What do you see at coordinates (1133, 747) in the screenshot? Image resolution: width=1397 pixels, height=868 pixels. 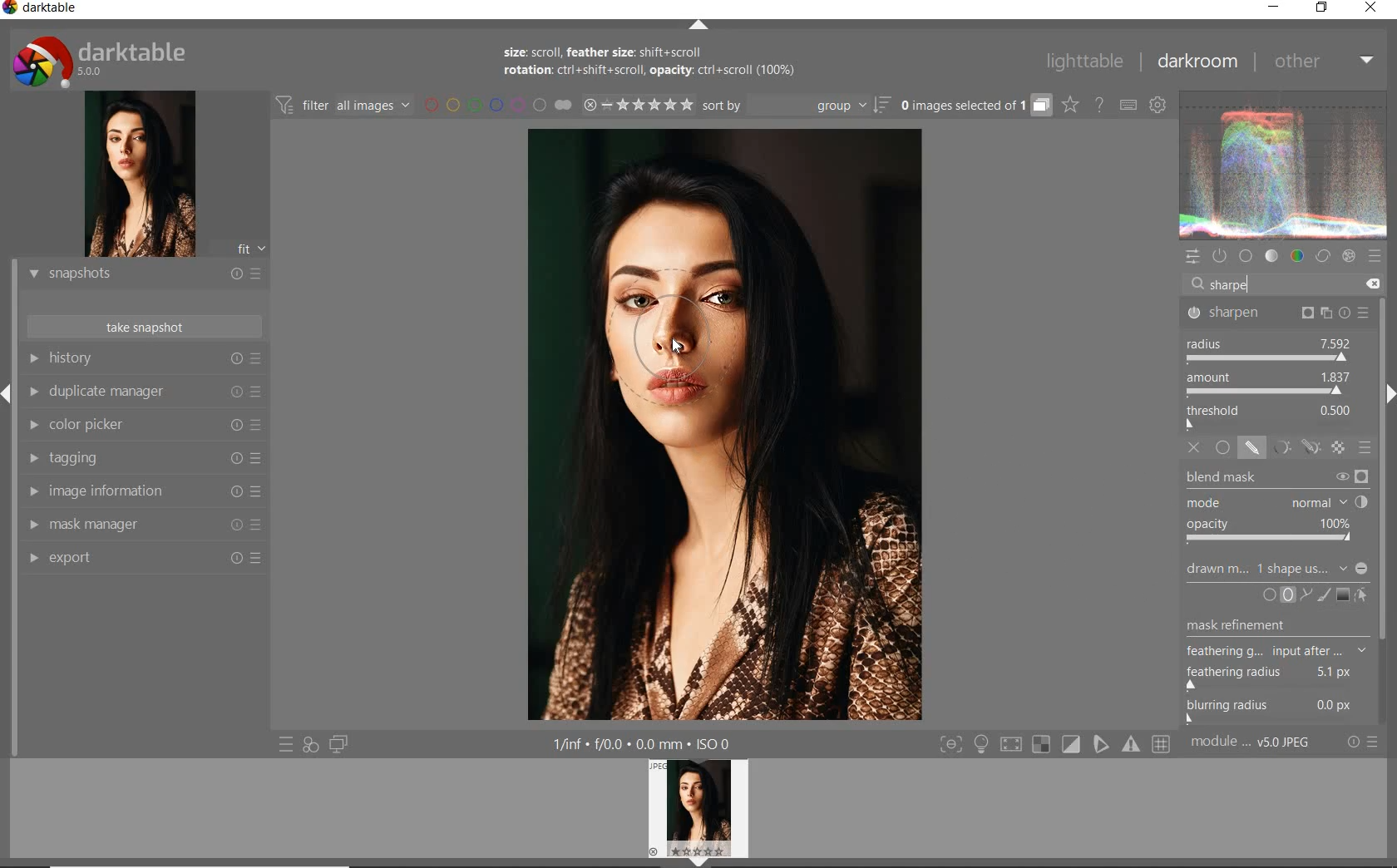 I see `sign ` at bounding box center [1133, 747].